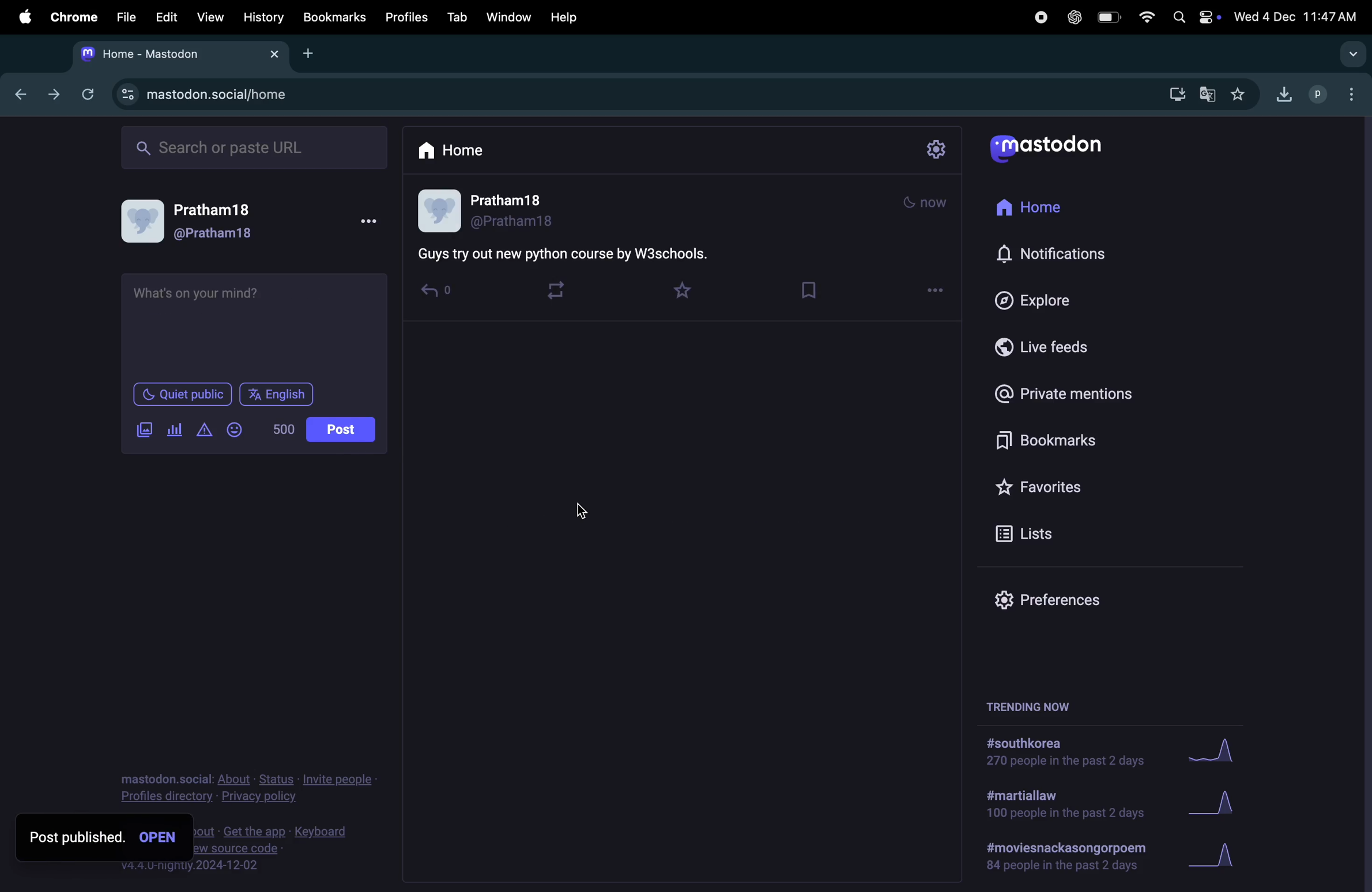  I want to click on refresh, so click(92, 95).